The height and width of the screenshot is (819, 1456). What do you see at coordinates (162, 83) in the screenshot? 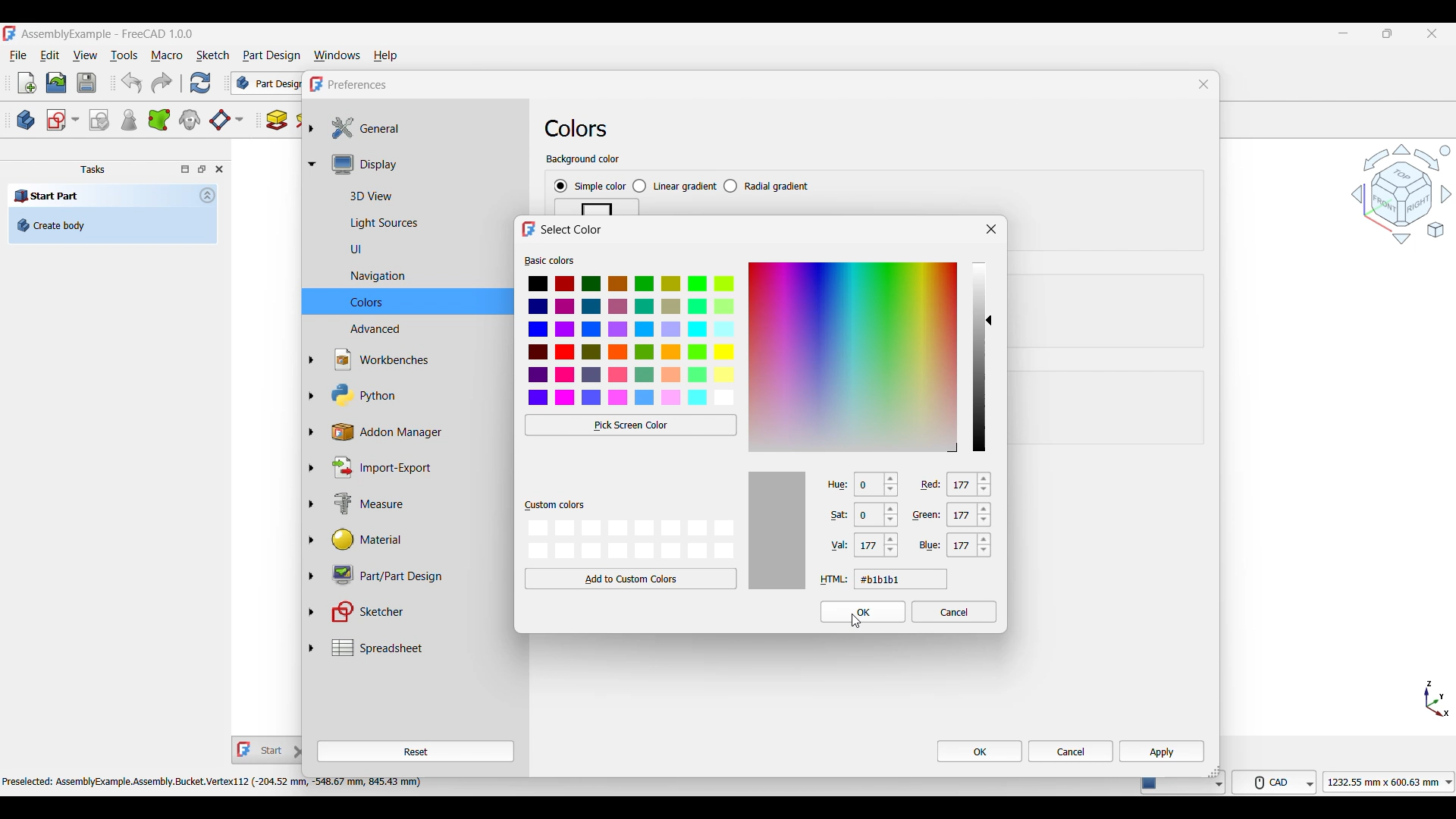
I see `Redo` at bounding box center [162, 83].